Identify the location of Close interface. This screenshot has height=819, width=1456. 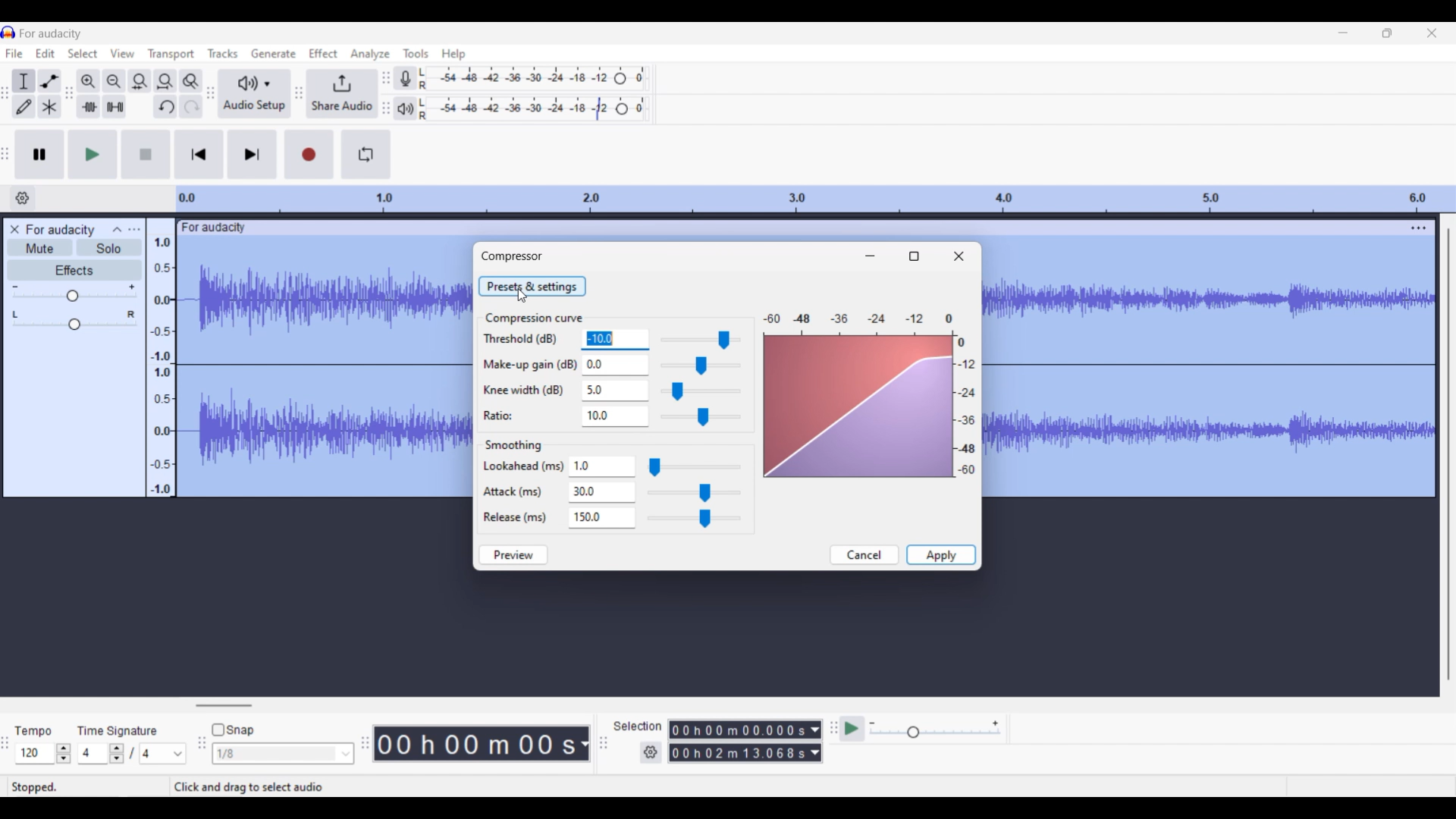
(1432, 33).